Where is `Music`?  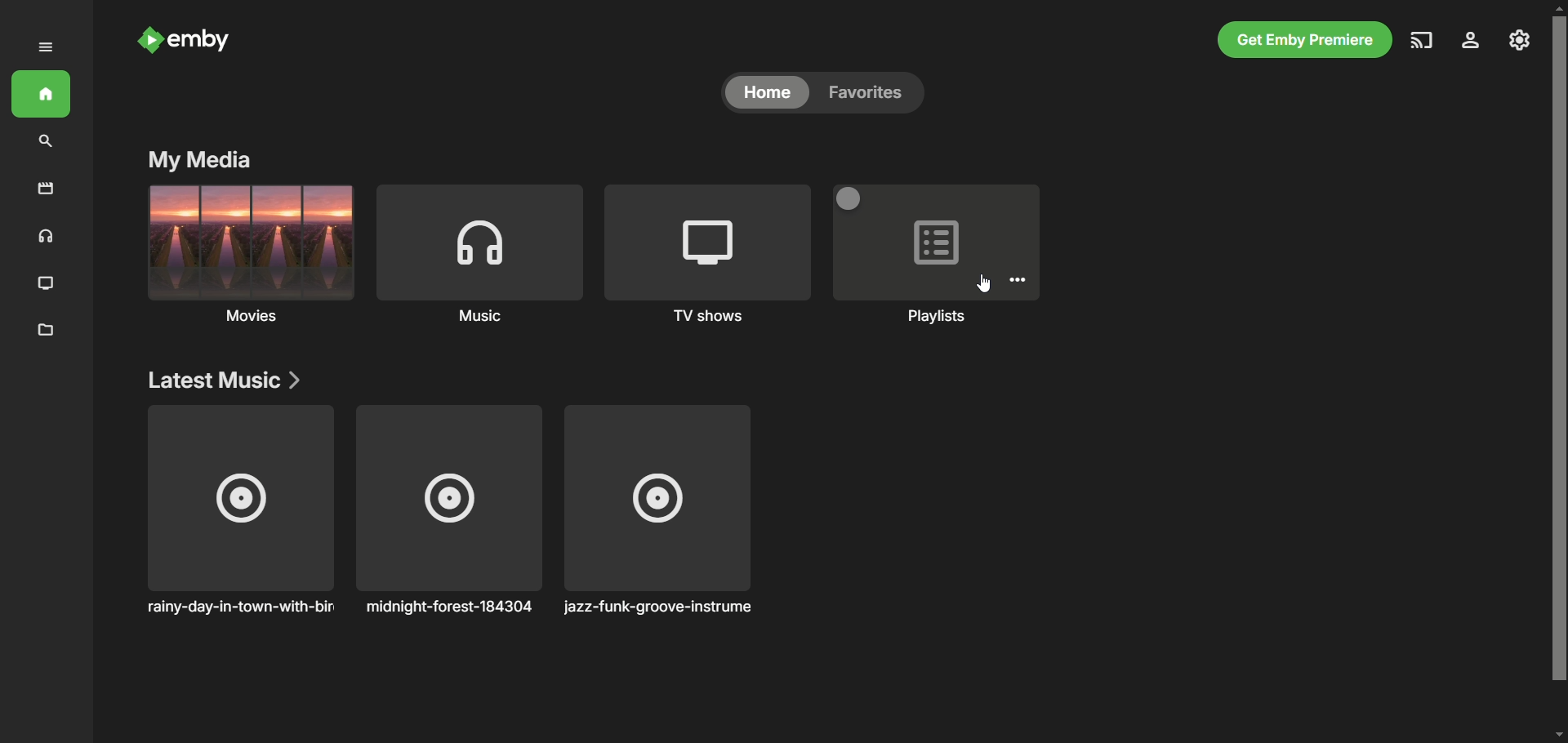 Music is located at coordinates (479, 255).